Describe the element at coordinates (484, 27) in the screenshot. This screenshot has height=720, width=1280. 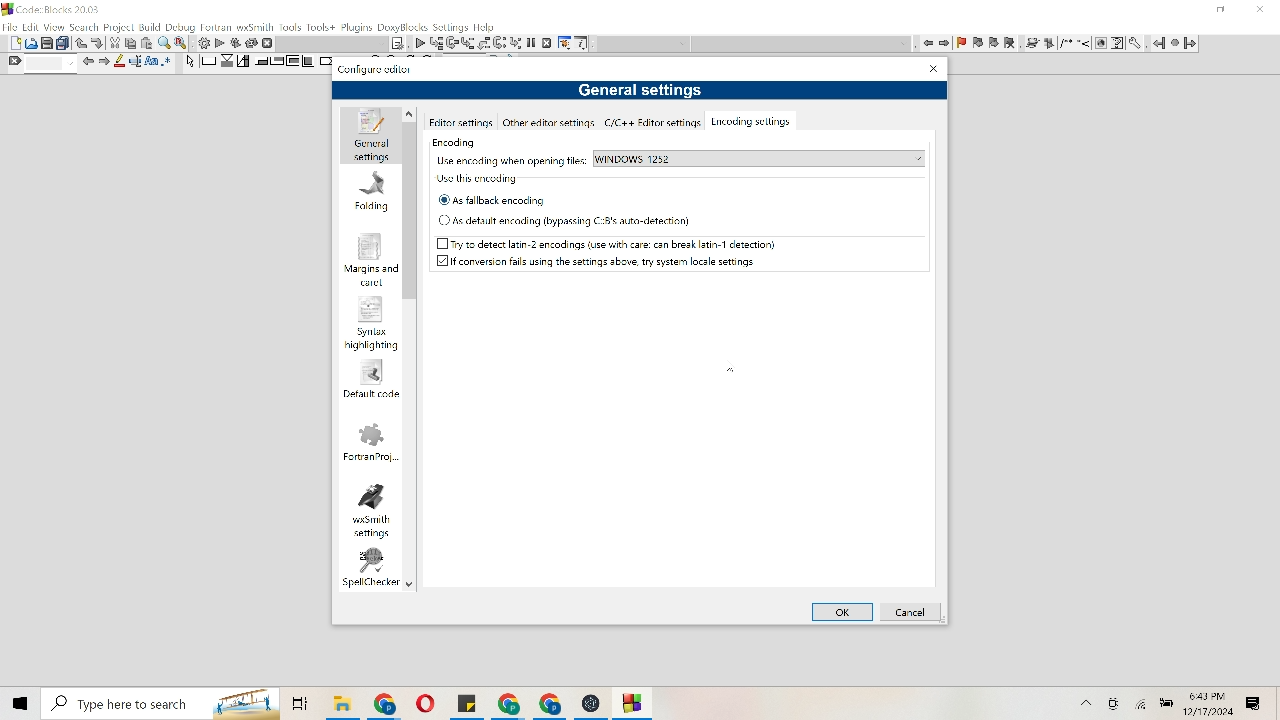
I see `help` at that location.